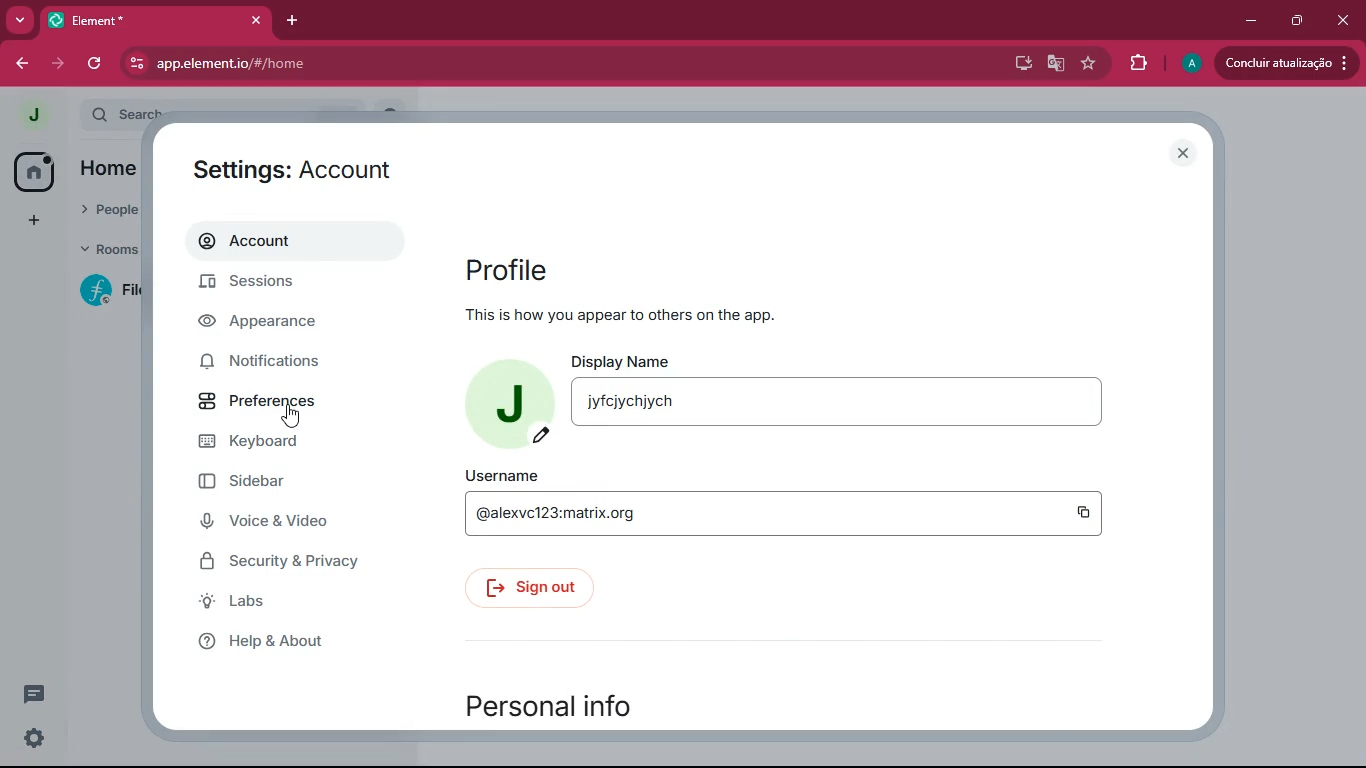 Image resolution: width=1366 pixels, height=768 pixels. What do you see at coordinates (283, 284) in the screenshot?
I see `sessions` at bounding box center [283, 284].